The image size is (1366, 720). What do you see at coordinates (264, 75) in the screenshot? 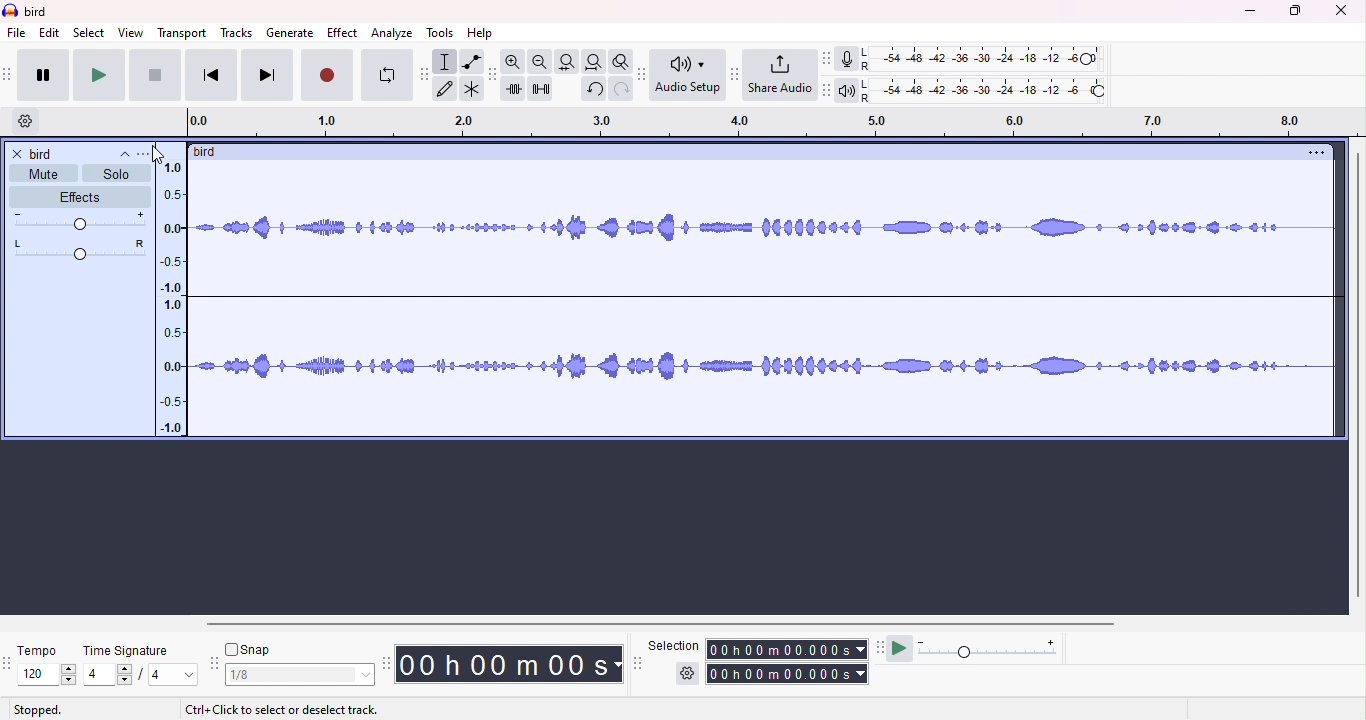
I see `next` at bounding box center [264, 75].